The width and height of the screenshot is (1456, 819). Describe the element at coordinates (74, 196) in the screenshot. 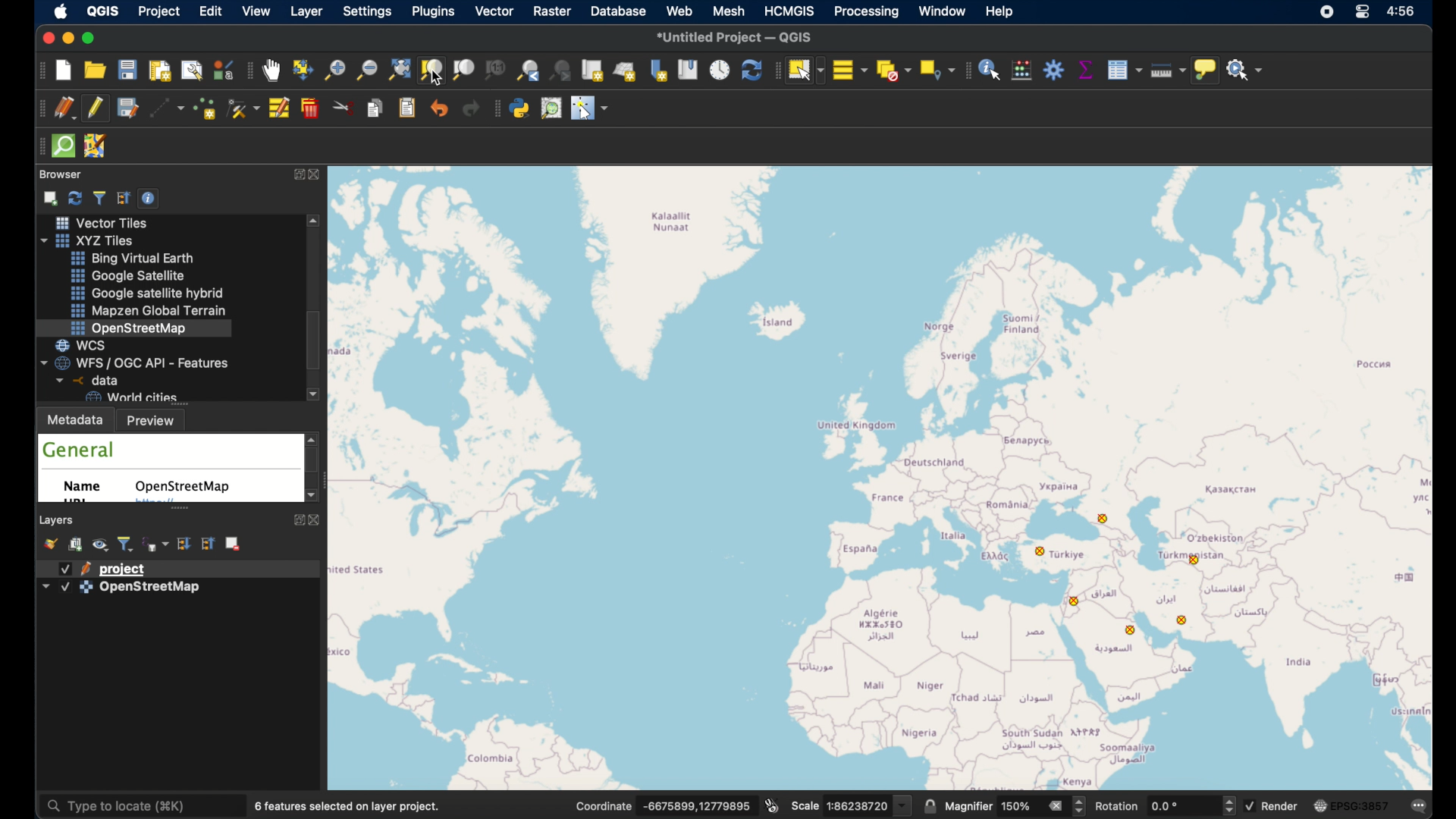

I see `refresh` at that location.